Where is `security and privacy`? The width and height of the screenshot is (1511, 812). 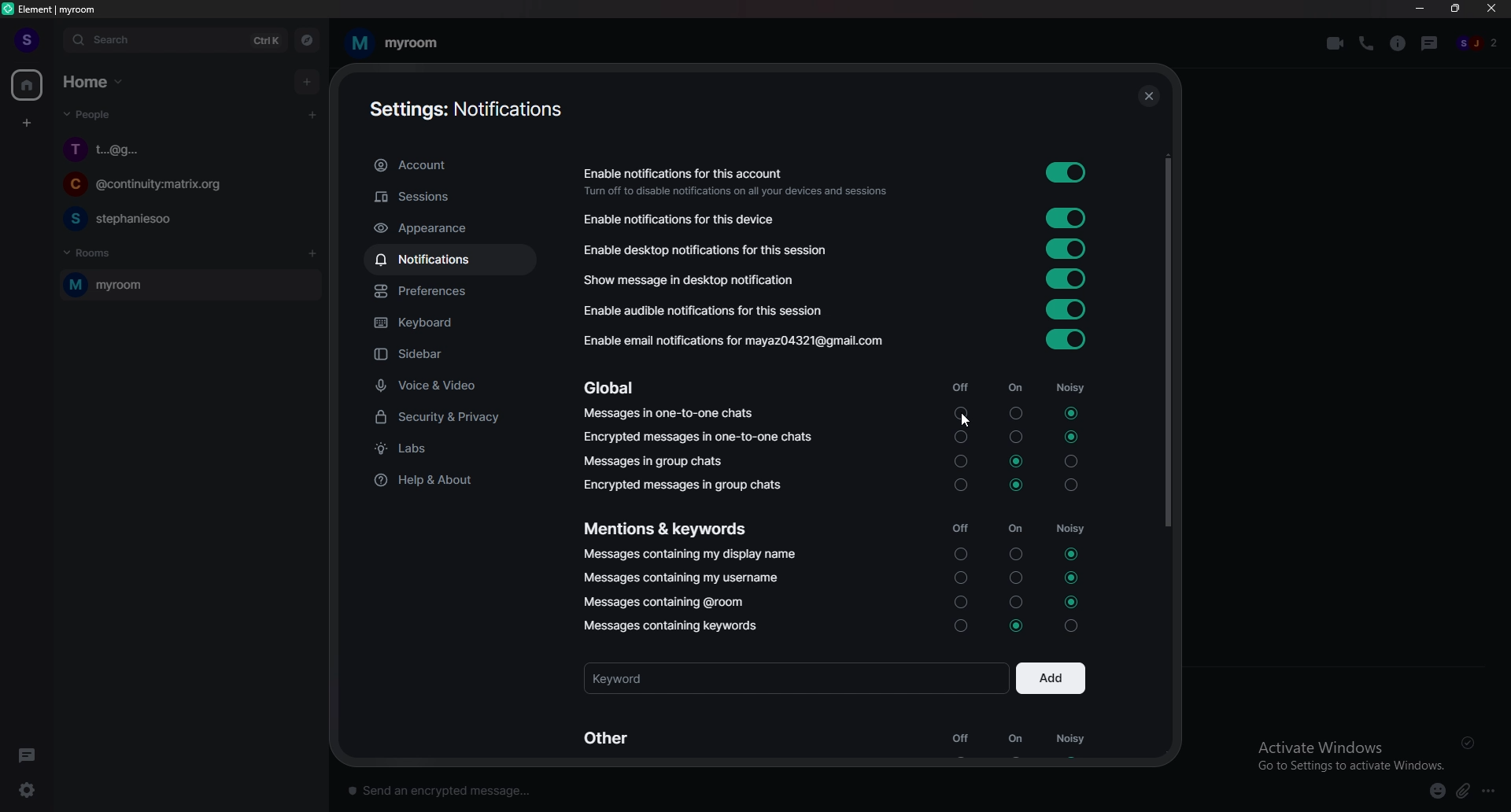
security and privacy is located at coordinates (456, 417).